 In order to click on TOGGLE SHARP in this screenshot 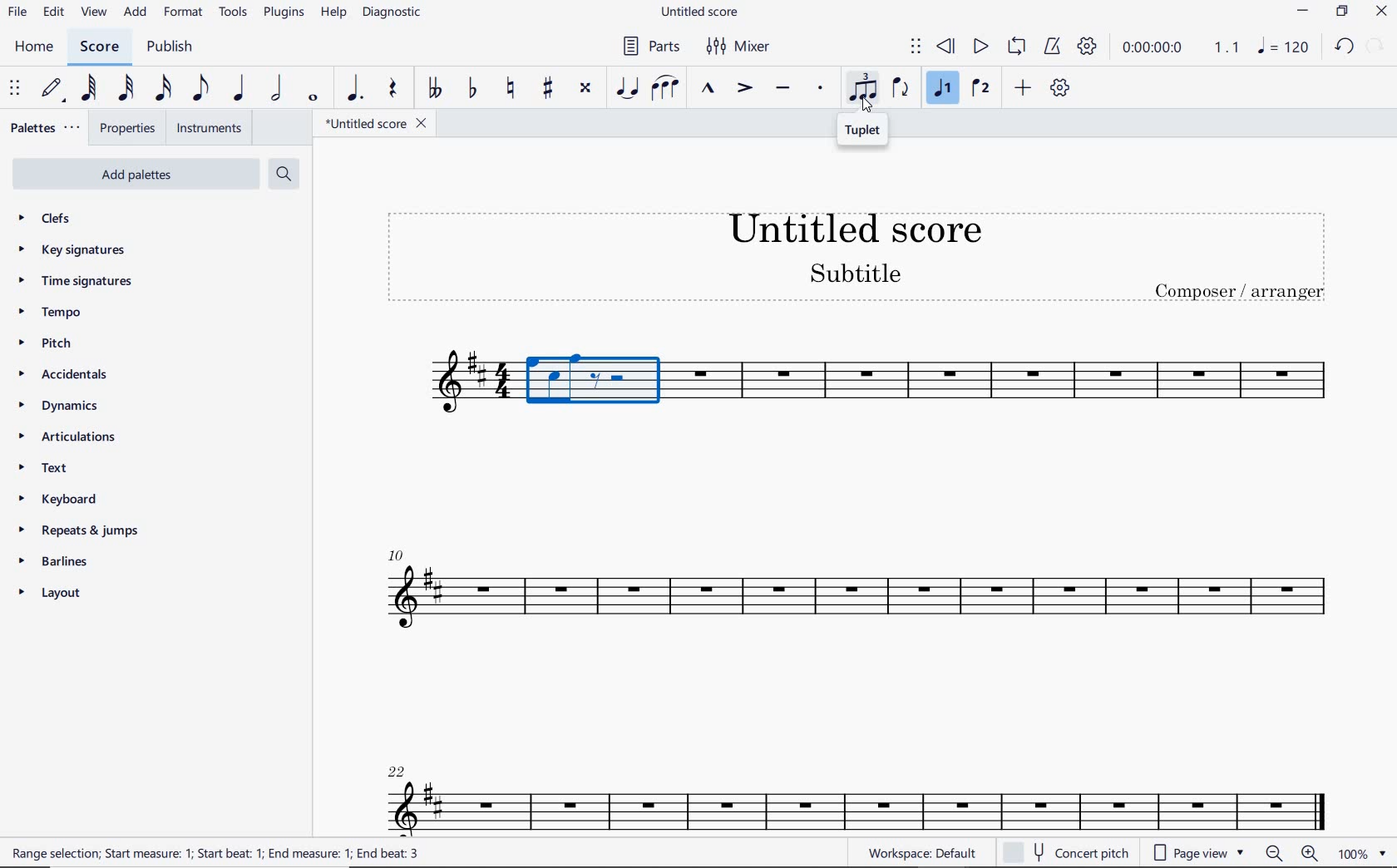, I will do `click(545, 89)`.